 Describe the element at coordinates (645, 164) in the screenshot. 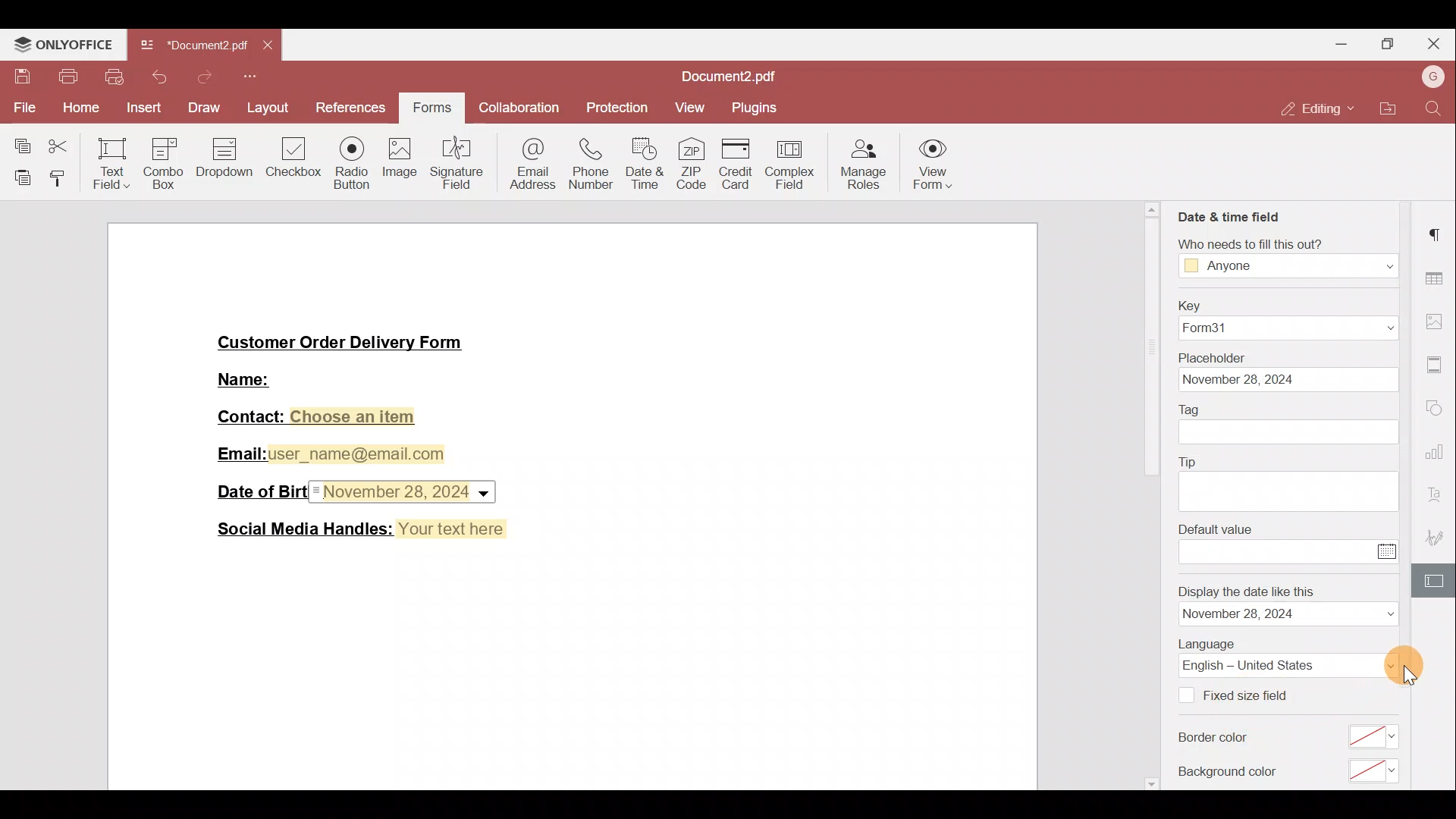

I see `Date & time` at that location.